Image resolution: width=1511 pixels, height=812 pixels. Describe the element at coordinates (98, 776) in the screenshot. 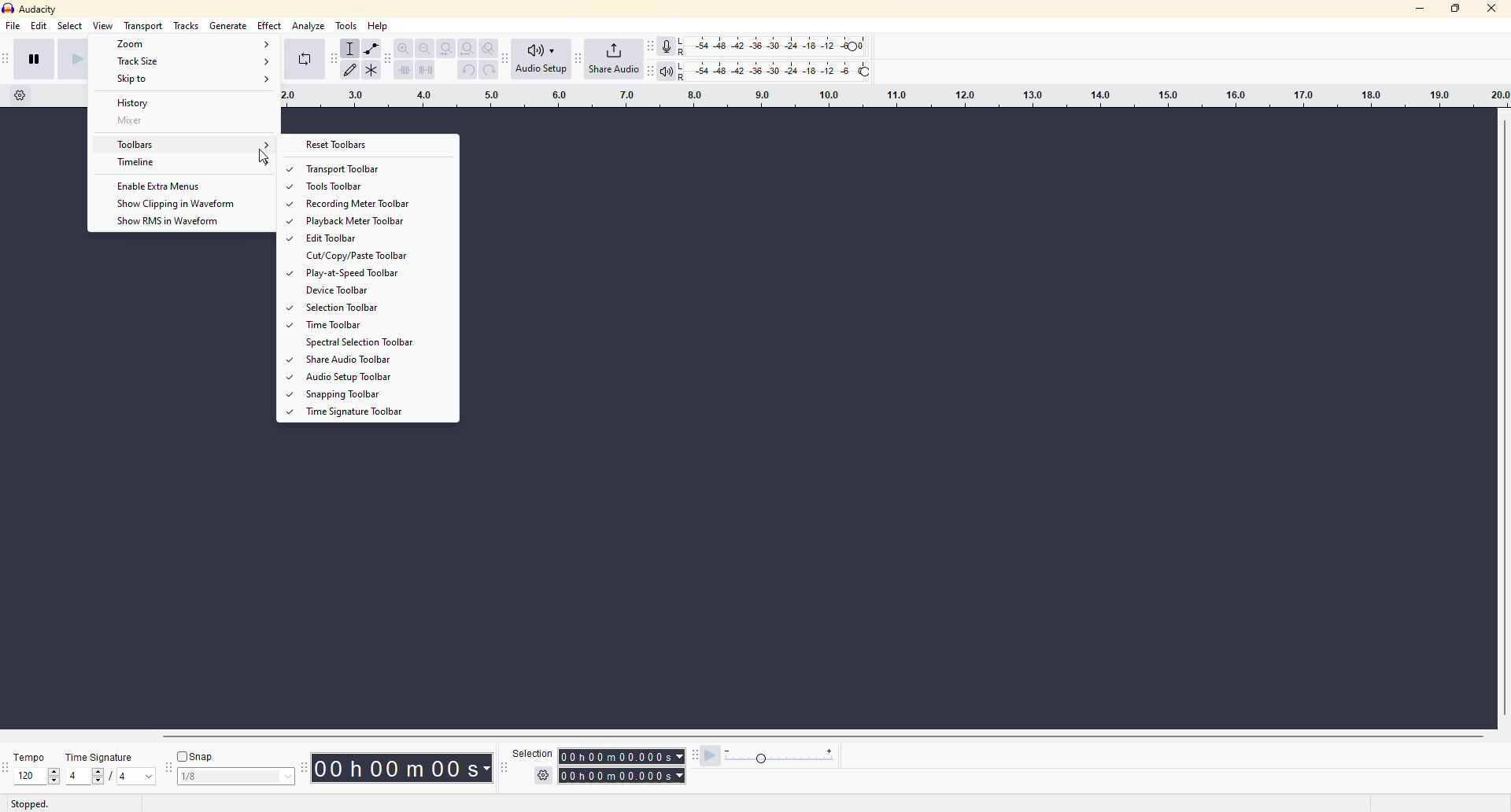

I see `values` at that location.